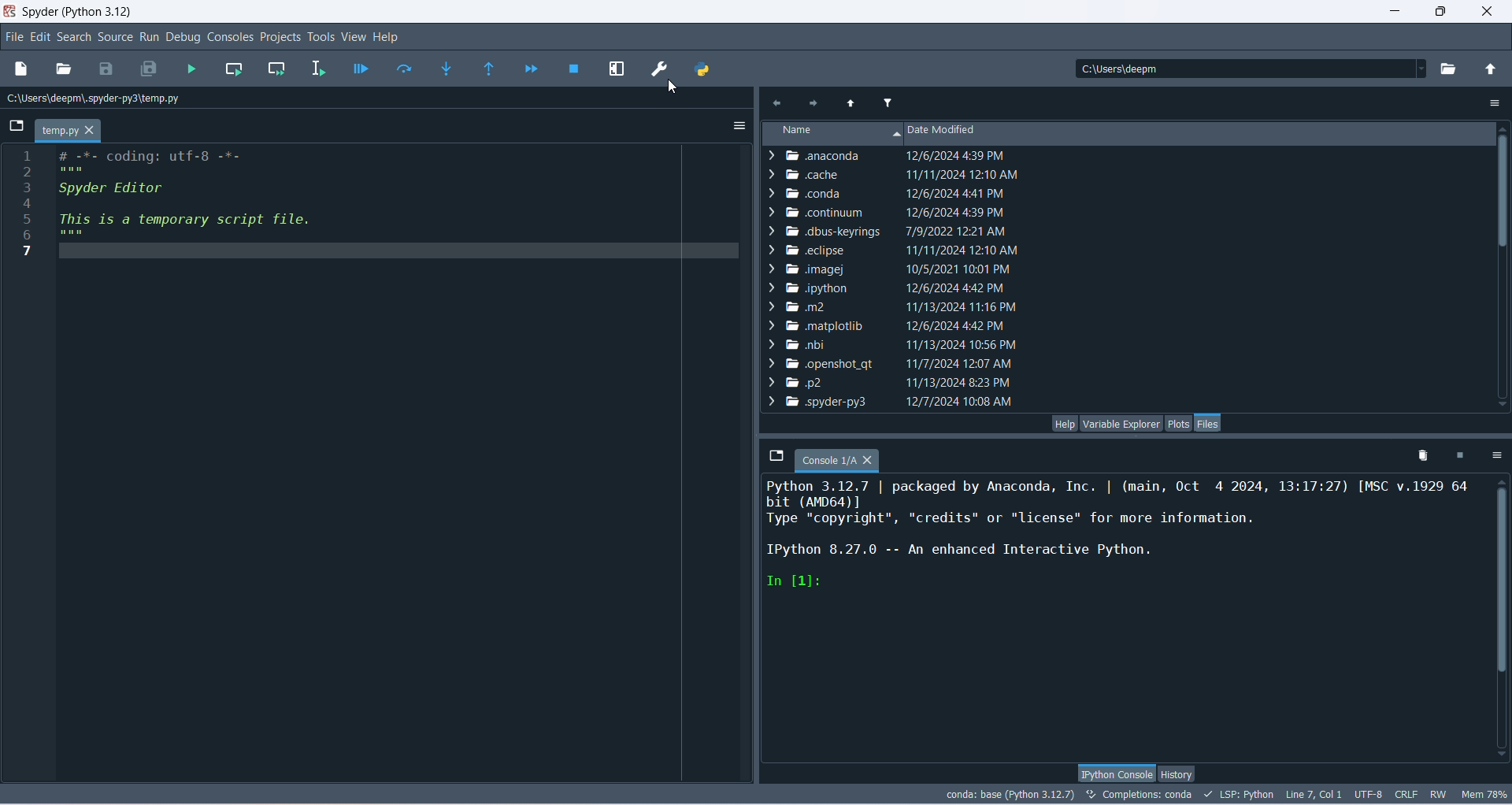 This screenshot has width=1512, height=805. Describe the element at coordinates (1369, 793) in the screenshot. I see `UTF` at that location.